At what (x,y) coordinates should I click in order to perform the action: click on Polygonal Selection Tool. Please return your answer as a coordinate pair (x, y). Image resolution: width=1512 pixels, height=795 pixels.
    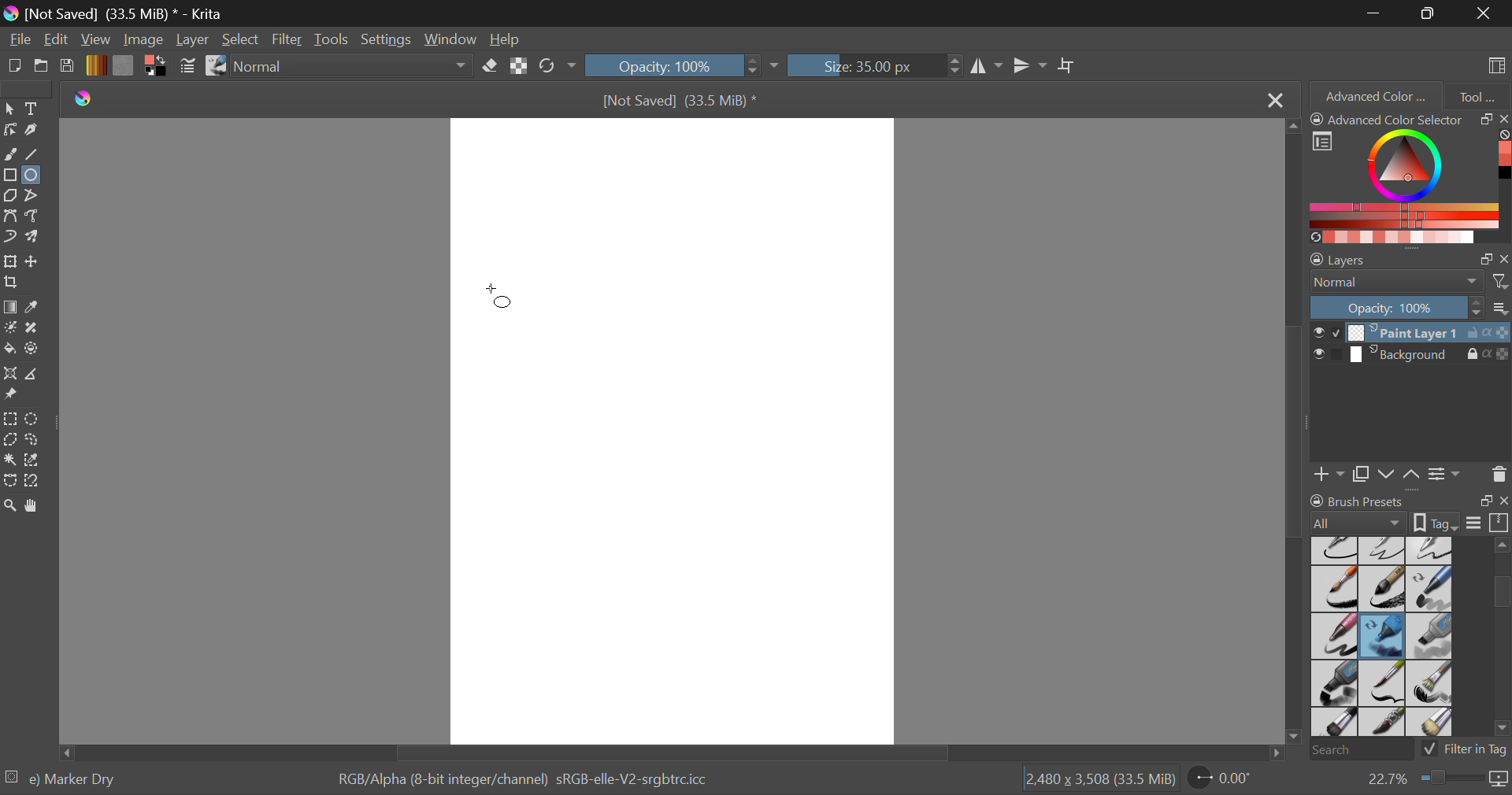
    Looking at the image, I should click on (10, 438).